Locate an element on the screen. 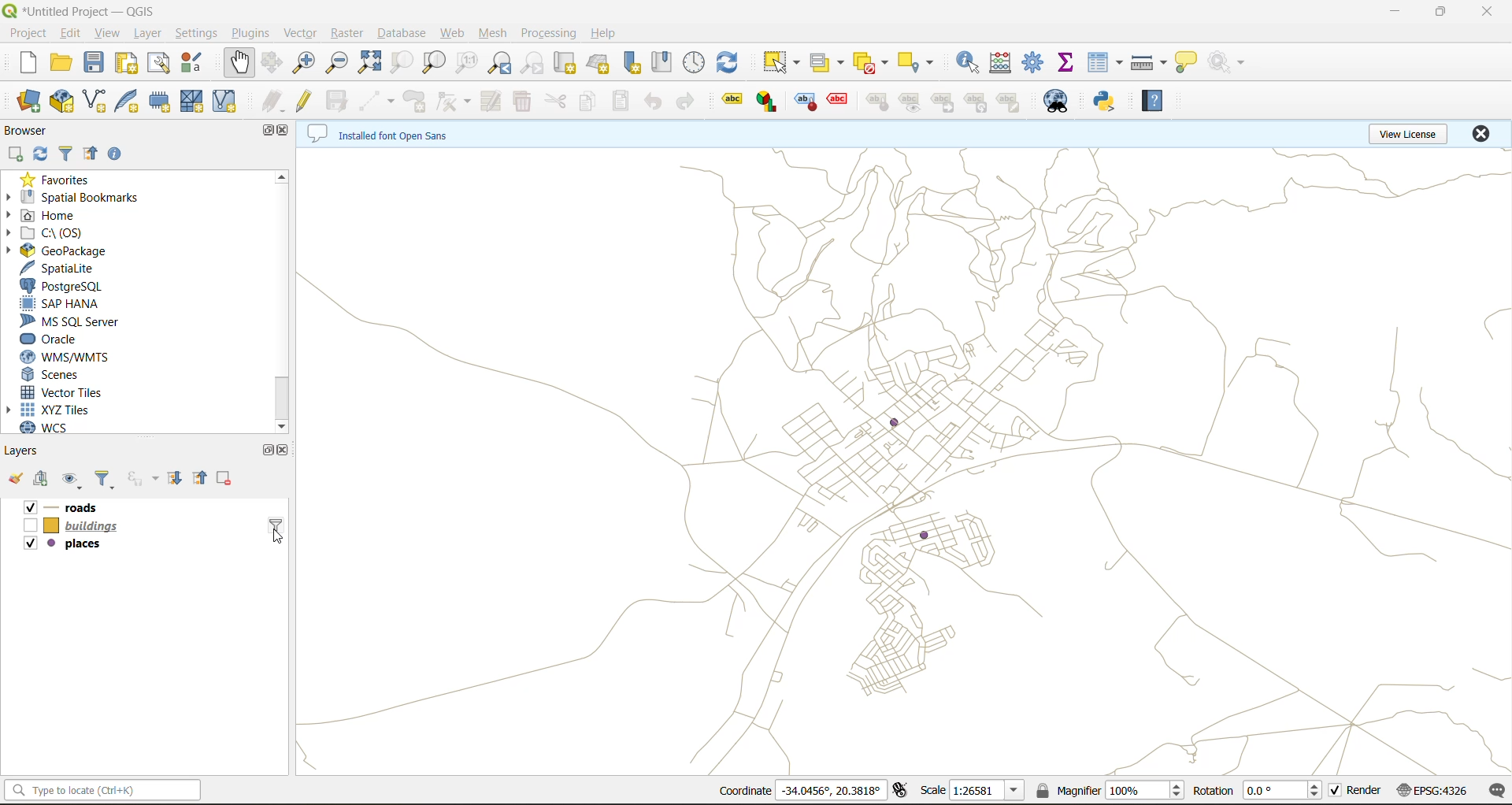  deselect value is located at coordinates (870, 62).